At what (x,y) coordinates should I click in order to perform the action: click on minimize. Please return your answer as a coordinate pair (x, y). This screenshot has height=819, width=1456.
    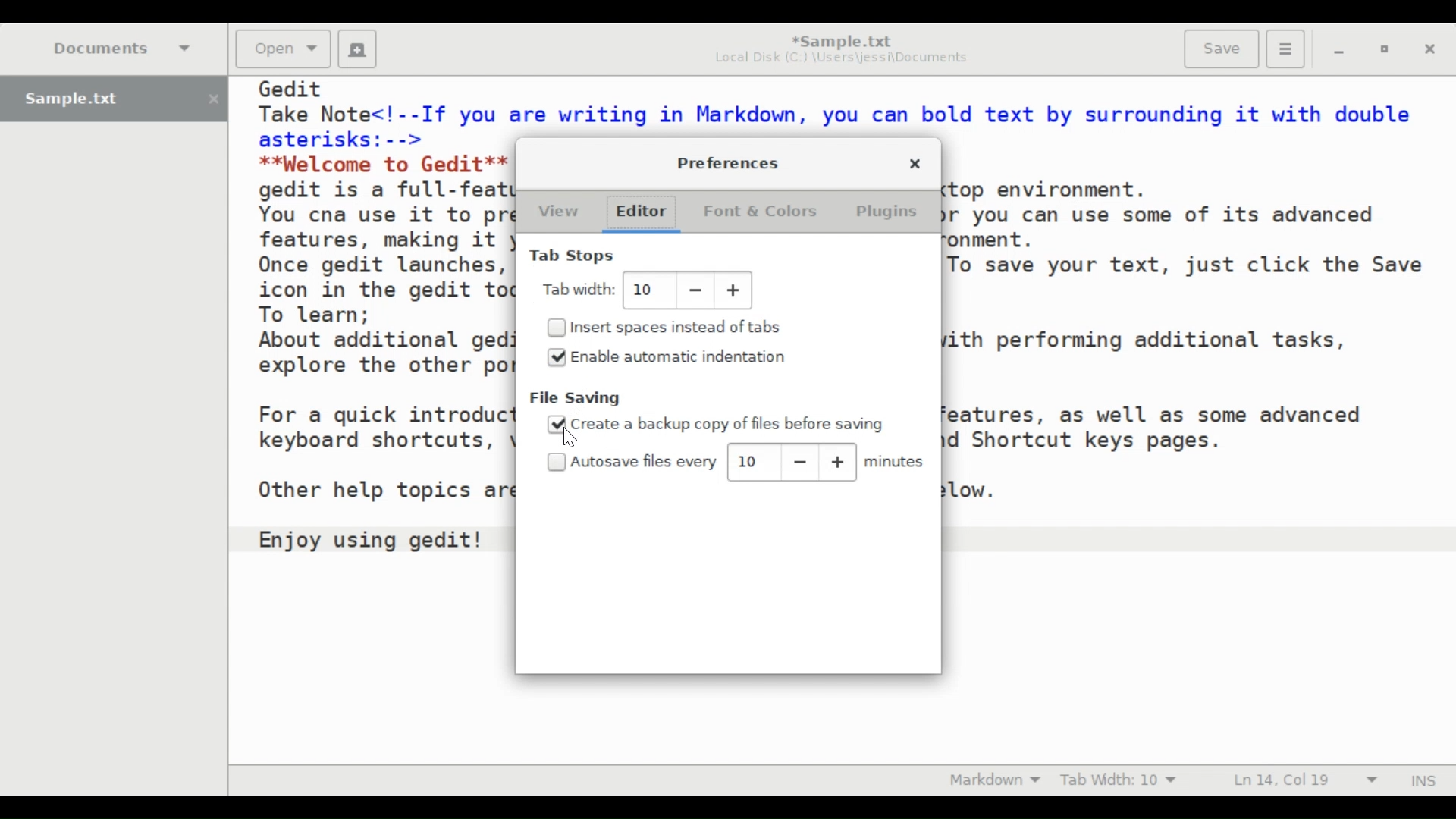
    Looking at the image, I should click on (1341, 51).